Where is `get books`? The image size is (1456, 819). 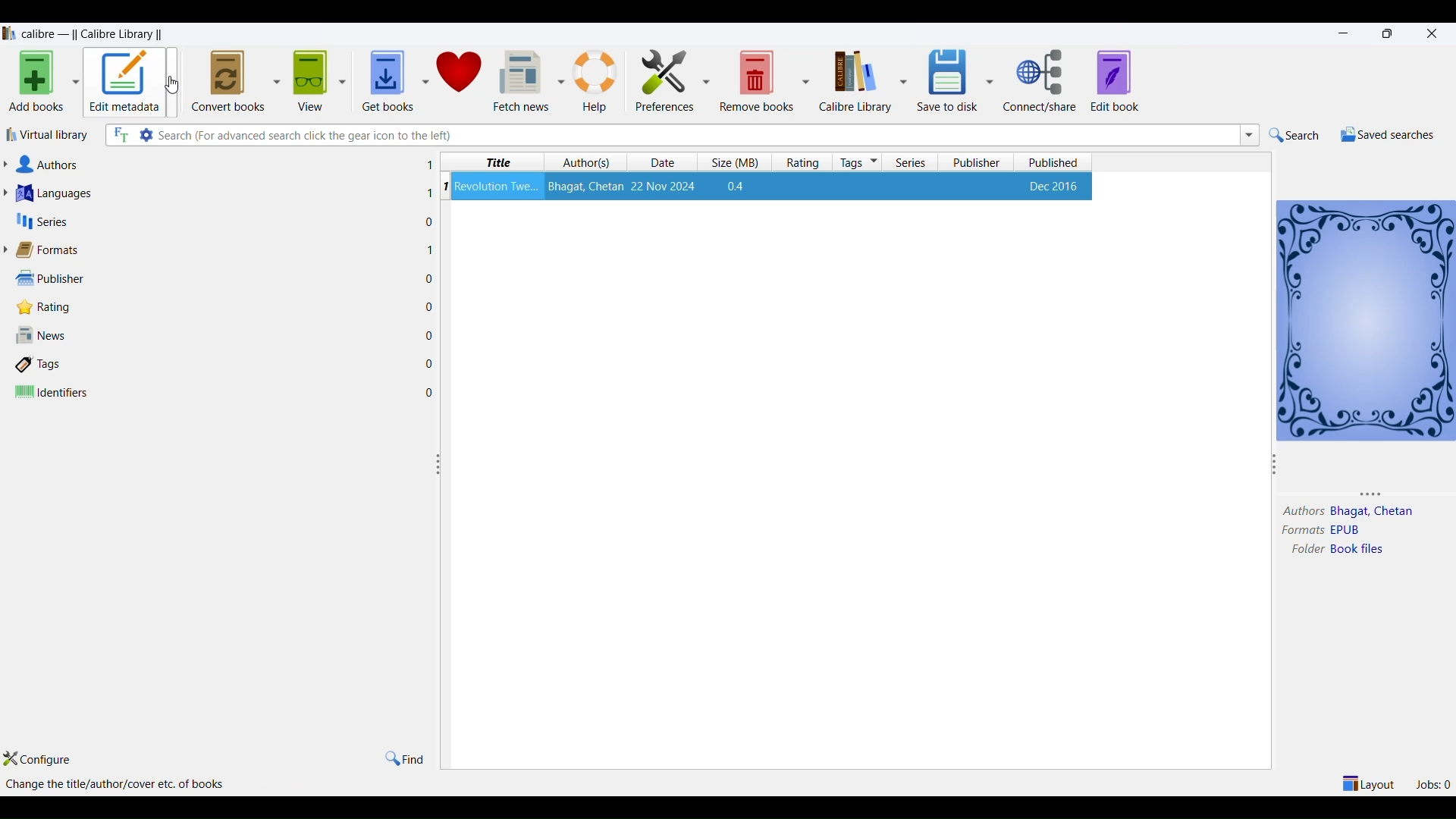 get books is located at coordinates (384, 77).